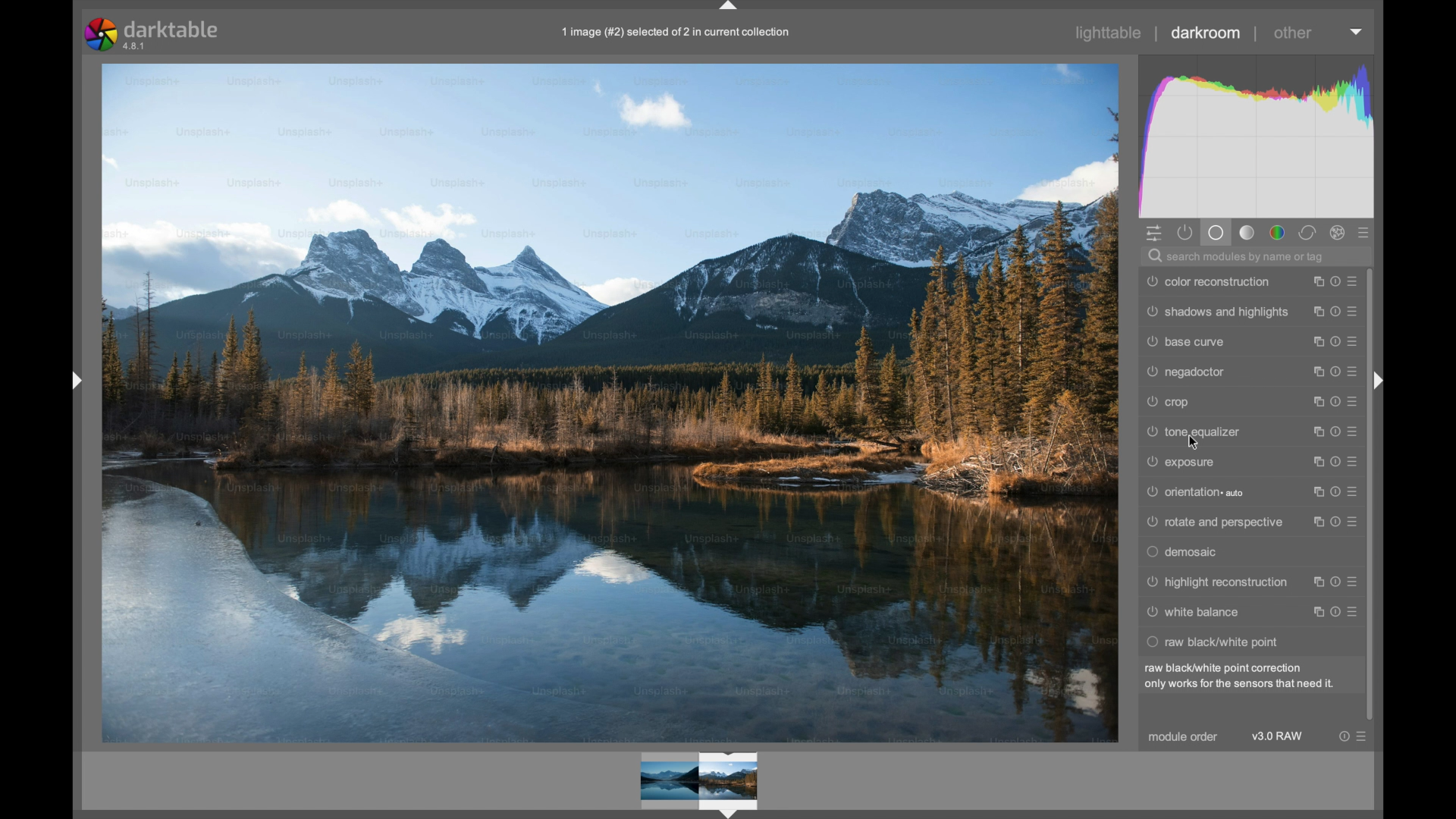 The image size is (1456, 819). Describe the element at coordinates (1357, 280) in the screenshot. I see `presets` at that location.